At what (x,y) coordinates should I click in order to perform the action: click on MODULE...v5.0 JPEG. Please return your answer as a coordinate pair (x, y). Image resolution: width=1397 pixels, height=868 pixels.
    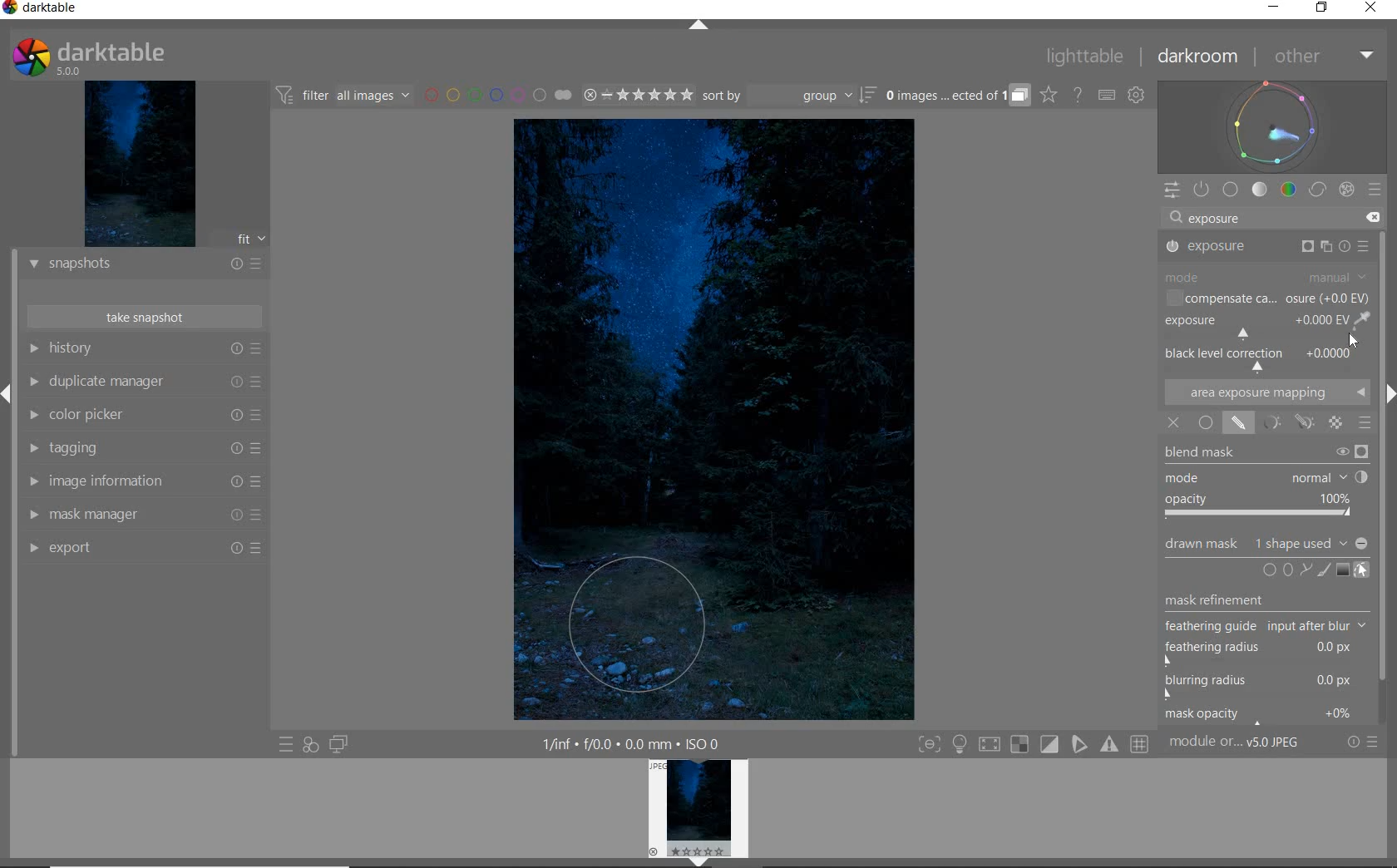
    Looking at the image, I should click on (1235, 744).